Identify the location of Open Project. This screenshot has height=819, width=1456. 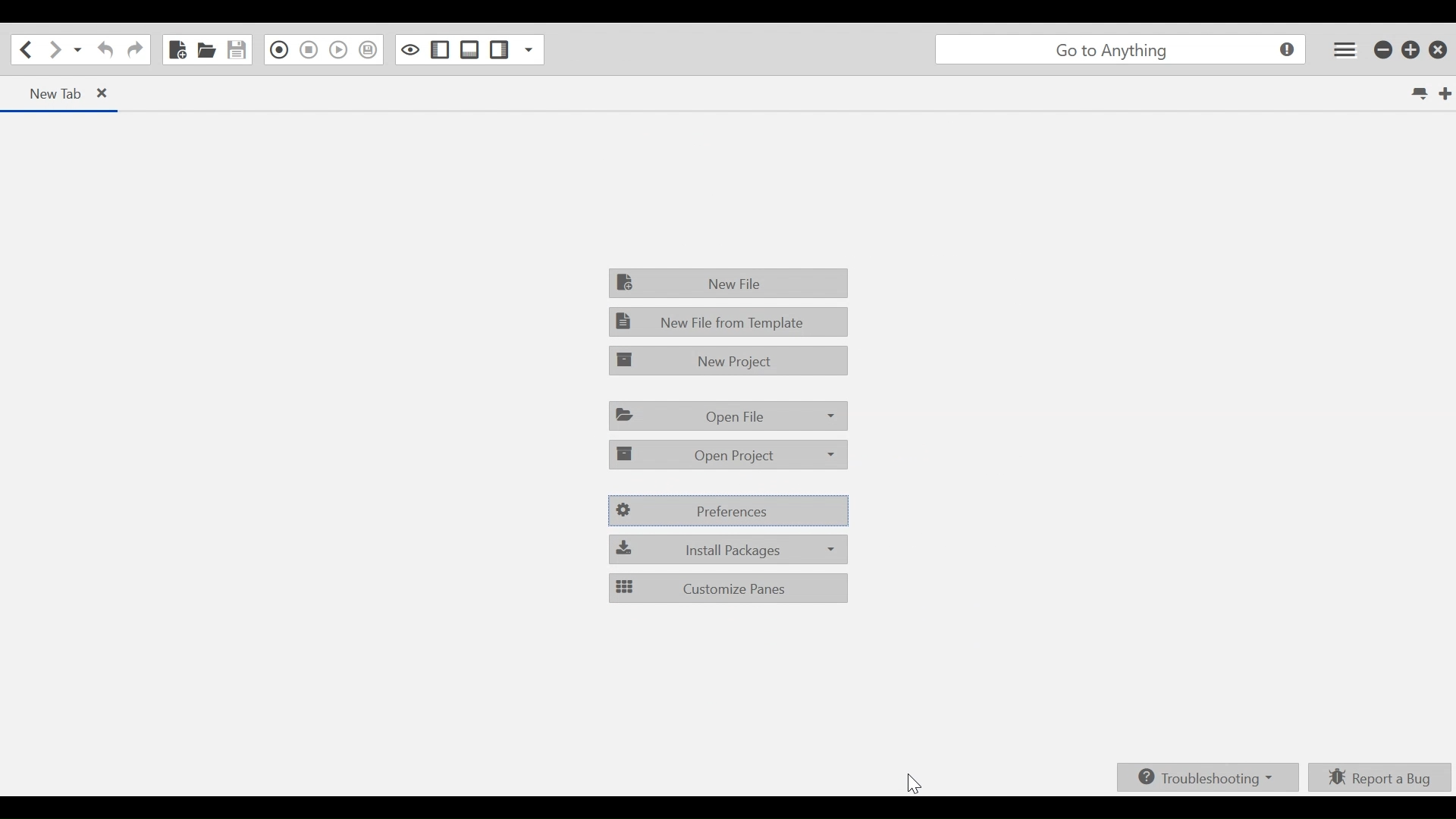
(727, 456).